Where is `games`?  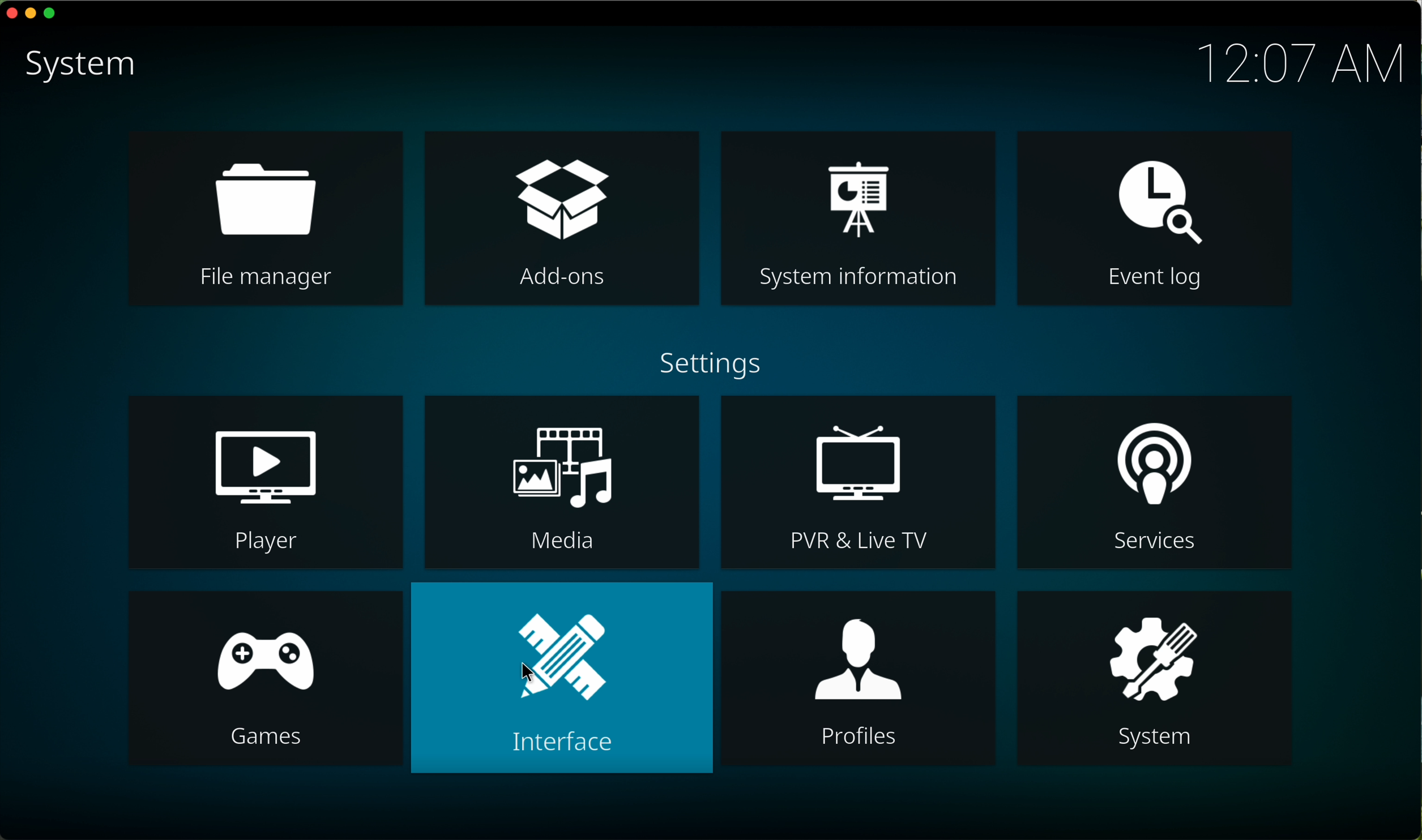
games is located at coordinates (267, 679).